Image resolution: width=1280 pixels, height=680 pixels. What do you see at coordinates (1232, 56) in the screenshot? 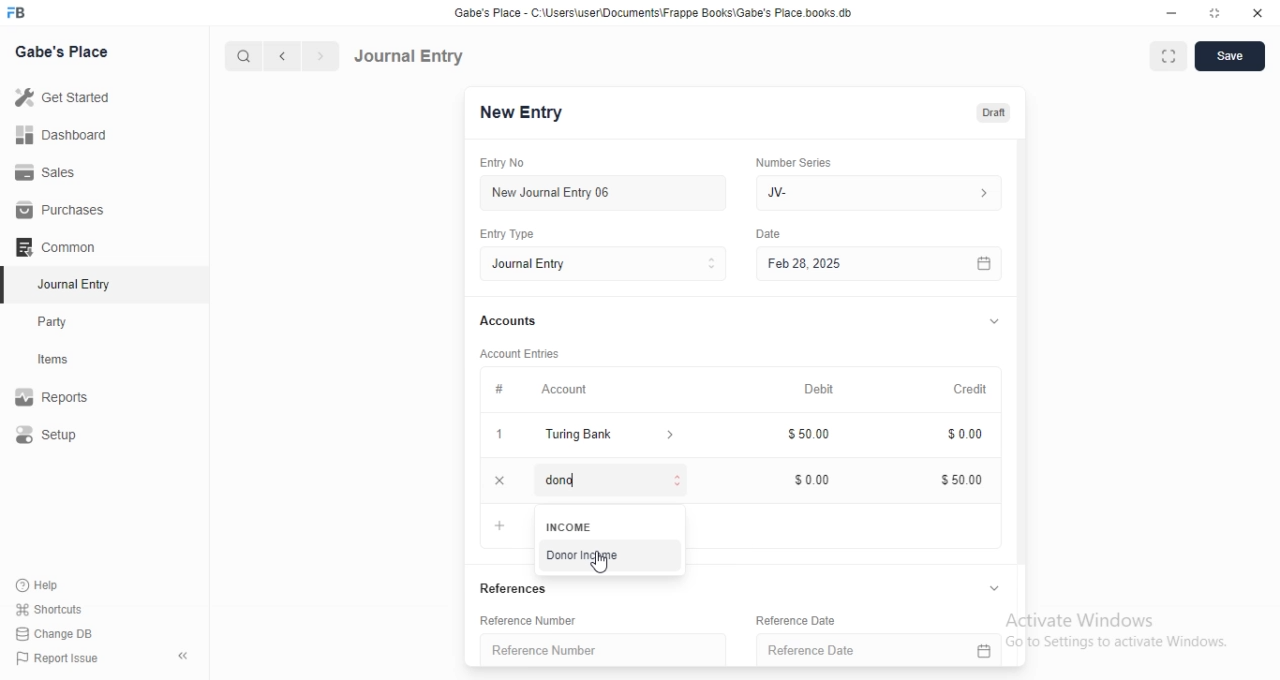
I see `save` at bounding box center [1232, 56].